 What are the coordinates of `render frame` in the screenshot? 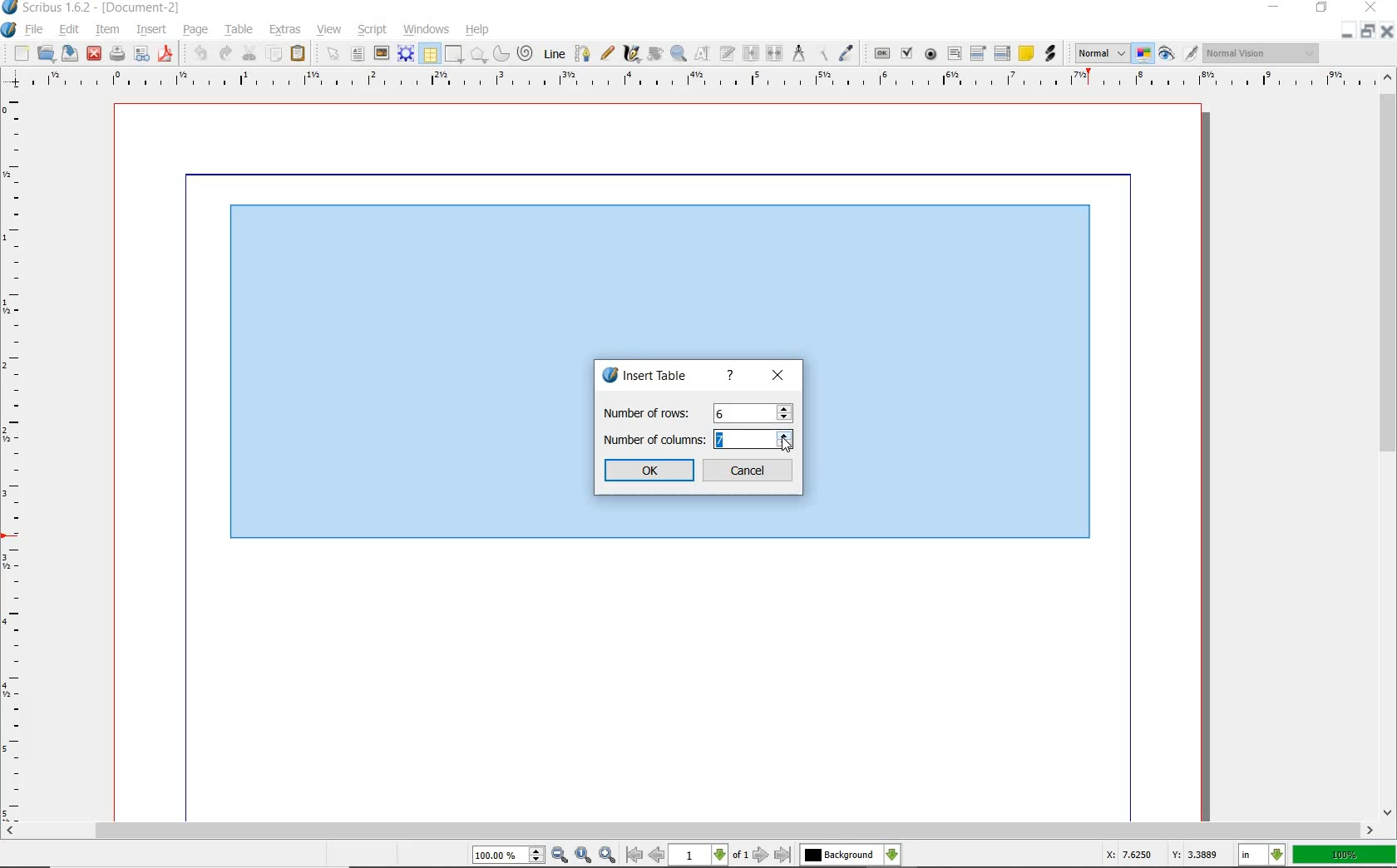 It's located at (406, 55).